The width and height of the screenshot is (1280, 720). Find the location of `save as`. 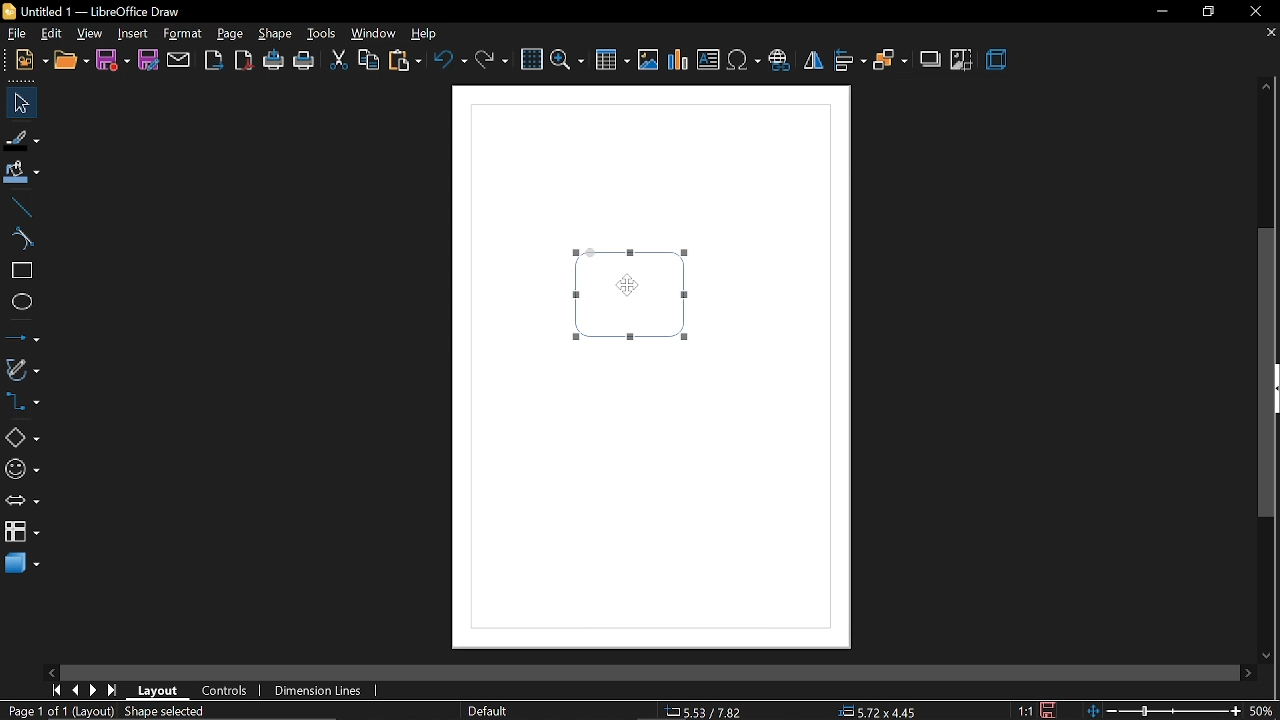

save as is located at coordinates (147, 61).